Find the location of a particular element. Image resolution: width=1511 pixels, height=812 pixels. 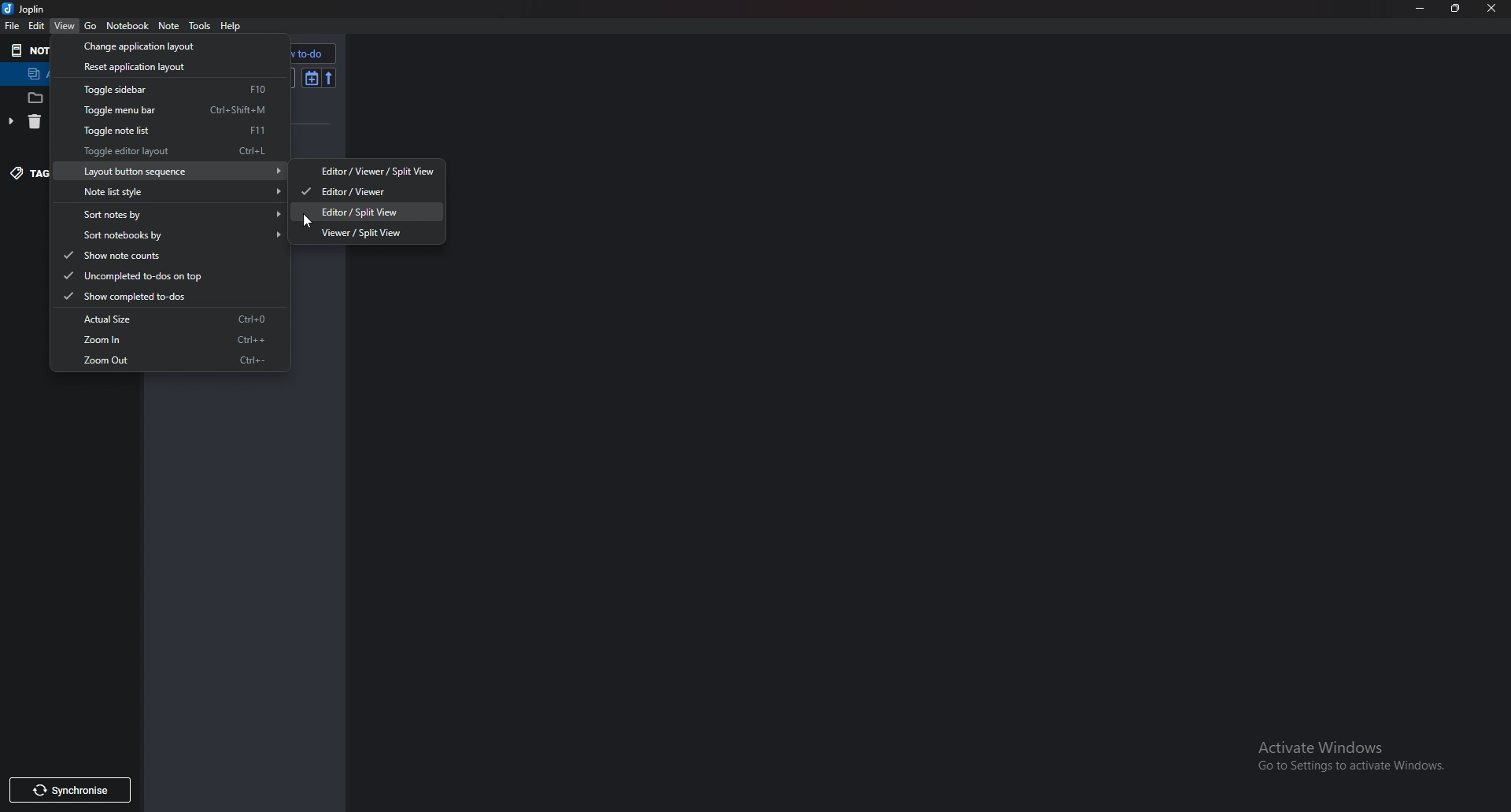

help is located at coordinates (235, 25).